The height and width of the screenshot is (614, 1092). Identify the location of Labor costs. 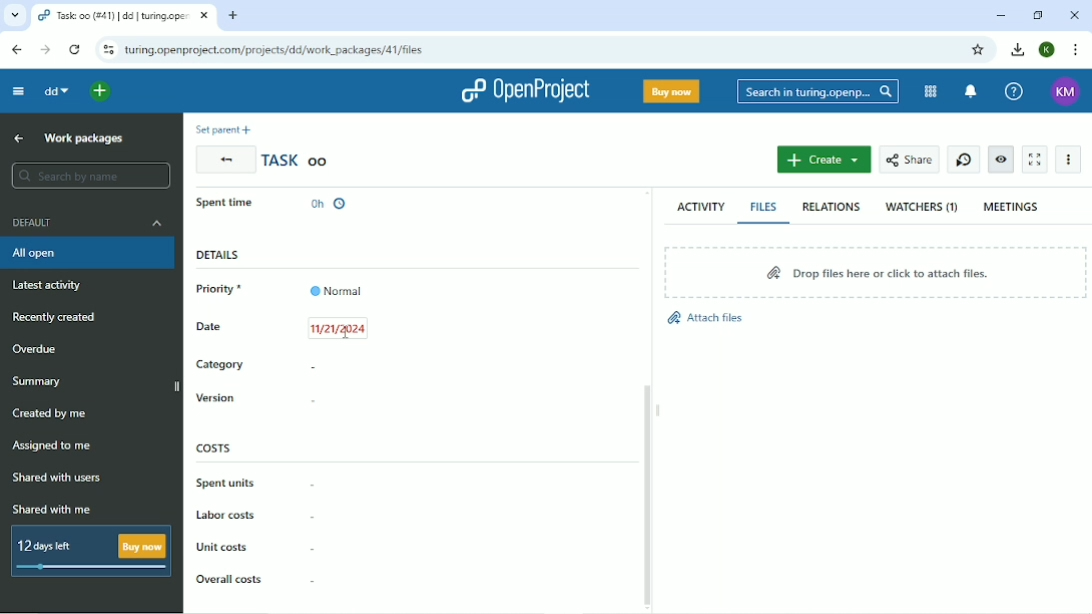
(227, 514).